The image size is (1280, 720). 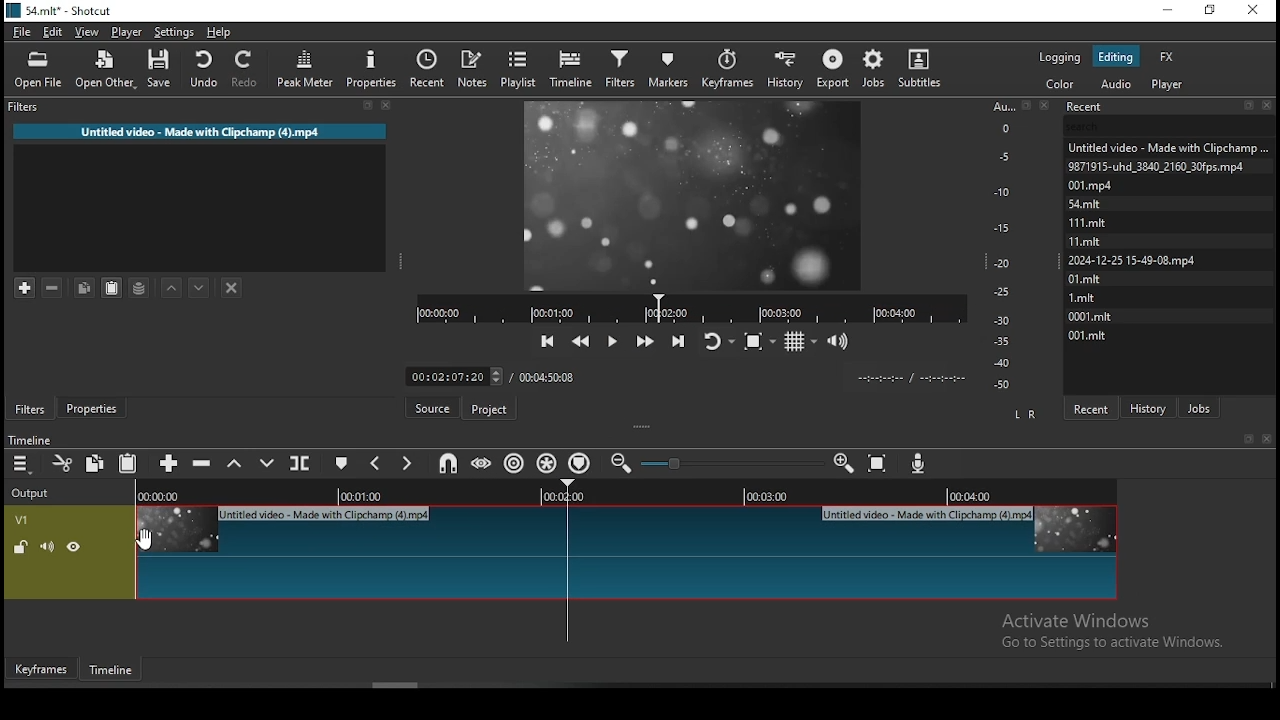 What do you see at coordinates (1062, 59) in the screenshot?
I see `logging` at bounding box center [1062, 59].